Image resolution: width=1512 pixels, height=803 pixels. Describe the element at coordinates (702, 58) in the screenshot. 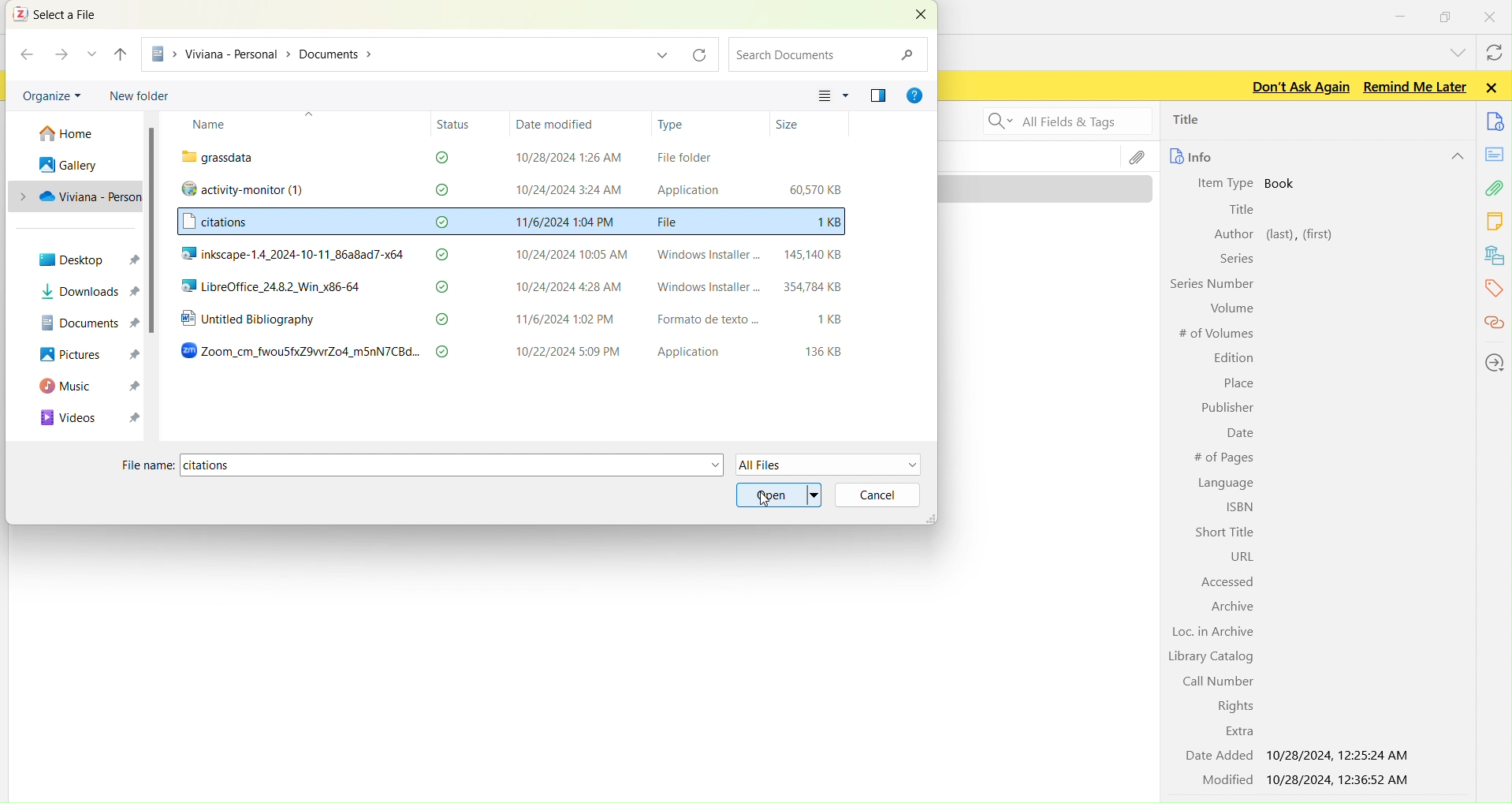

I see `refresh` at that location.